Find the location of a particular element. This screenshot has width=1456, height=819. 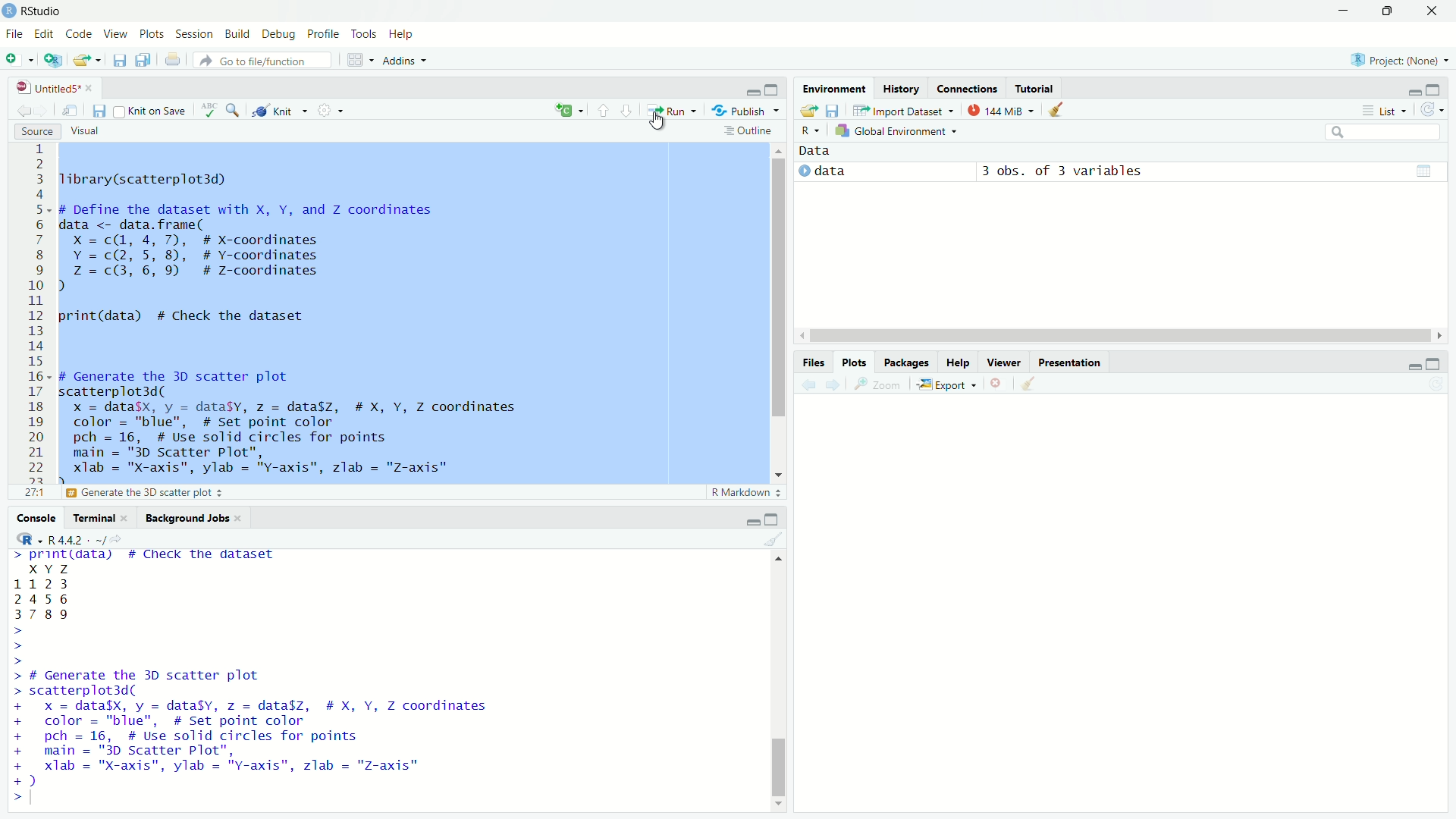

view a larger version of the plot in a new window is located at coordinates (880, 385).